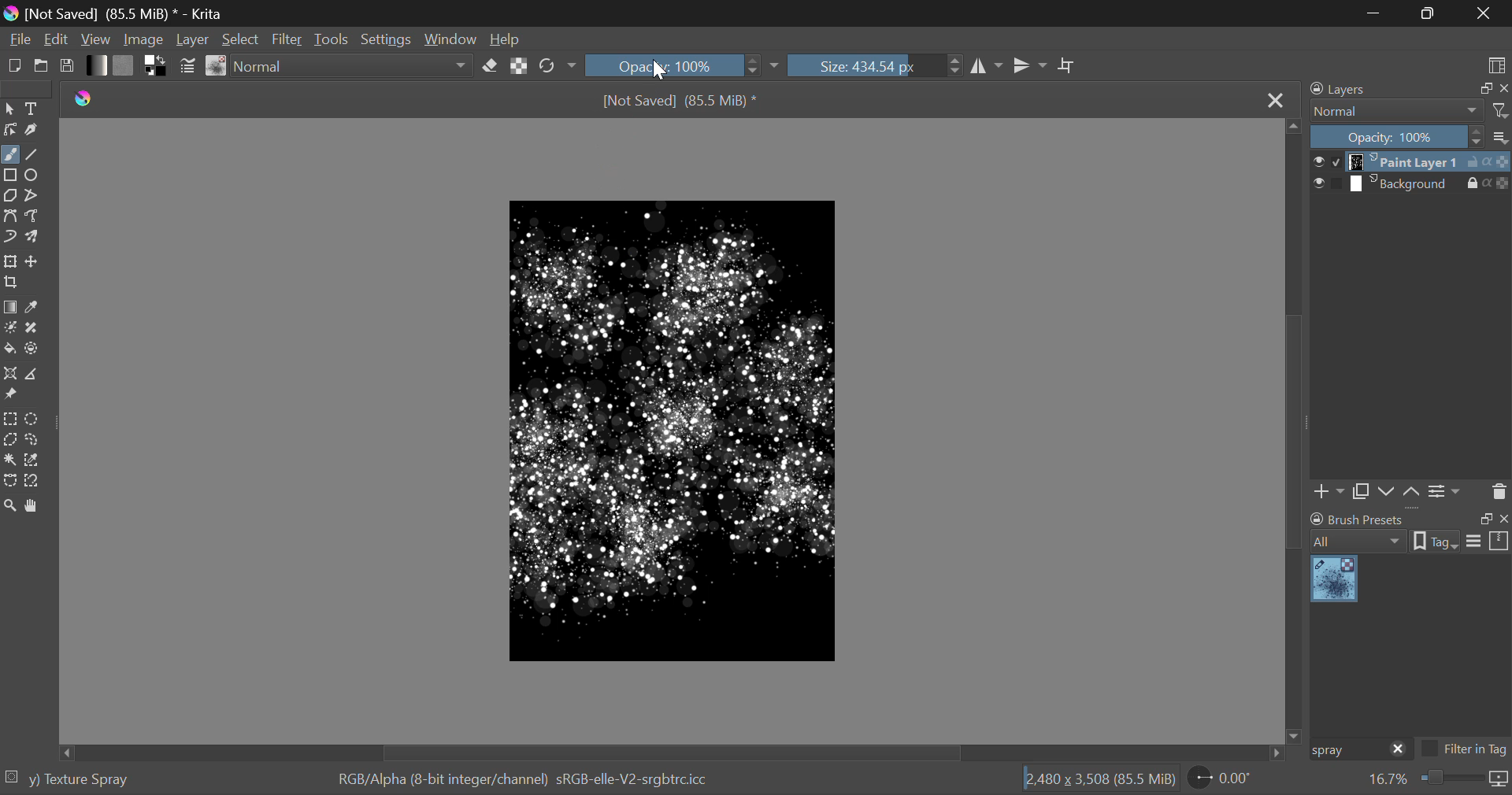 Image resolution: width=1512 pixels, height=795 pixels. I want to click on Continuous Fill, so click(9, 458).